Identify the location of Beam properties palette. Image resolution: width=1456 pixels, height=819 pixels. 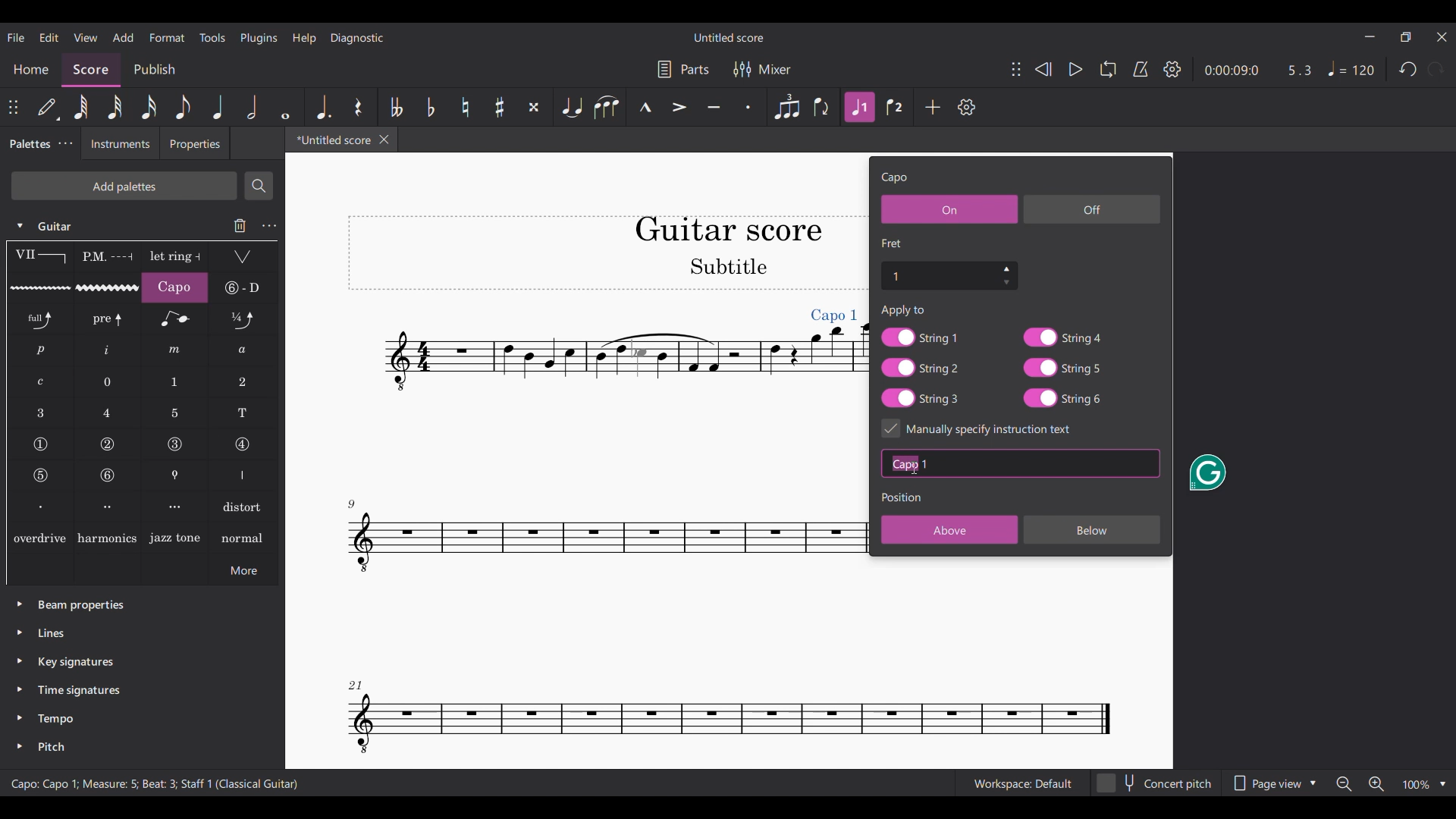
(81, 606).